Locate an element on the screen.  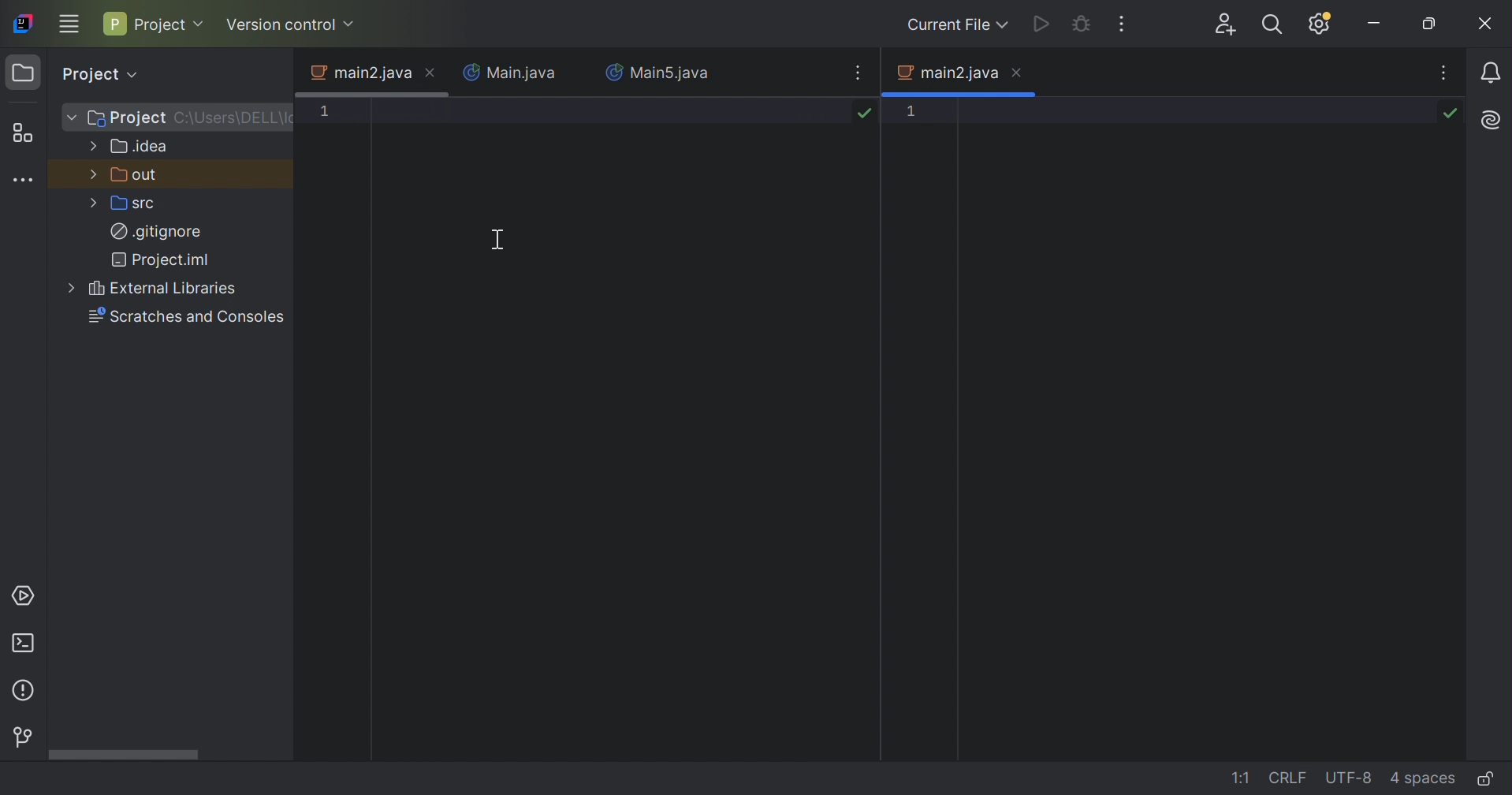
More is located at coordinates (71, 289).